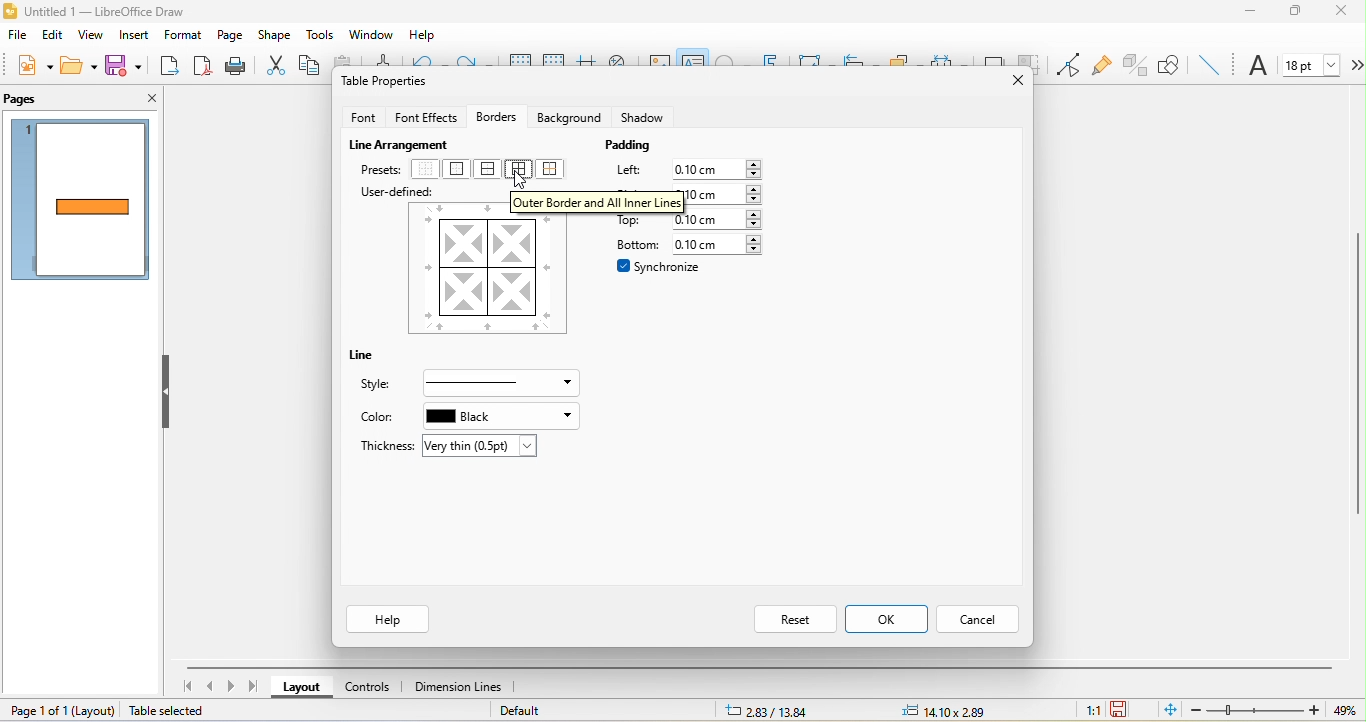 The height and width of the screenshot is (722, 1366). What do you see at coordinates (643, 114) in the screenshot?
I see `shadow` at bounding box center [643, 114].